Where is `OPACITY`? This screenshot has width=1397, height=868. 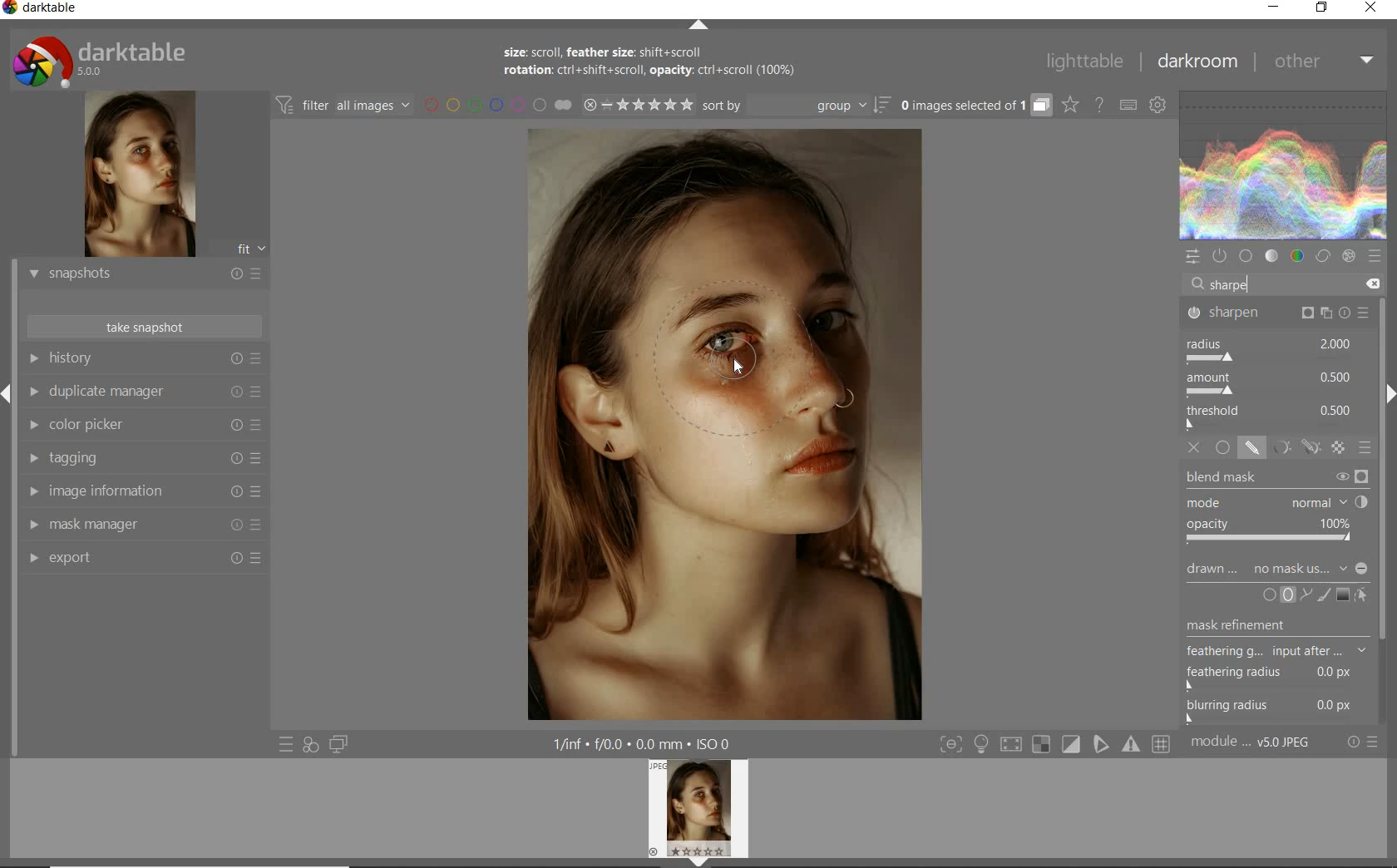
OPACITY is located at coordinates (1272, 532).